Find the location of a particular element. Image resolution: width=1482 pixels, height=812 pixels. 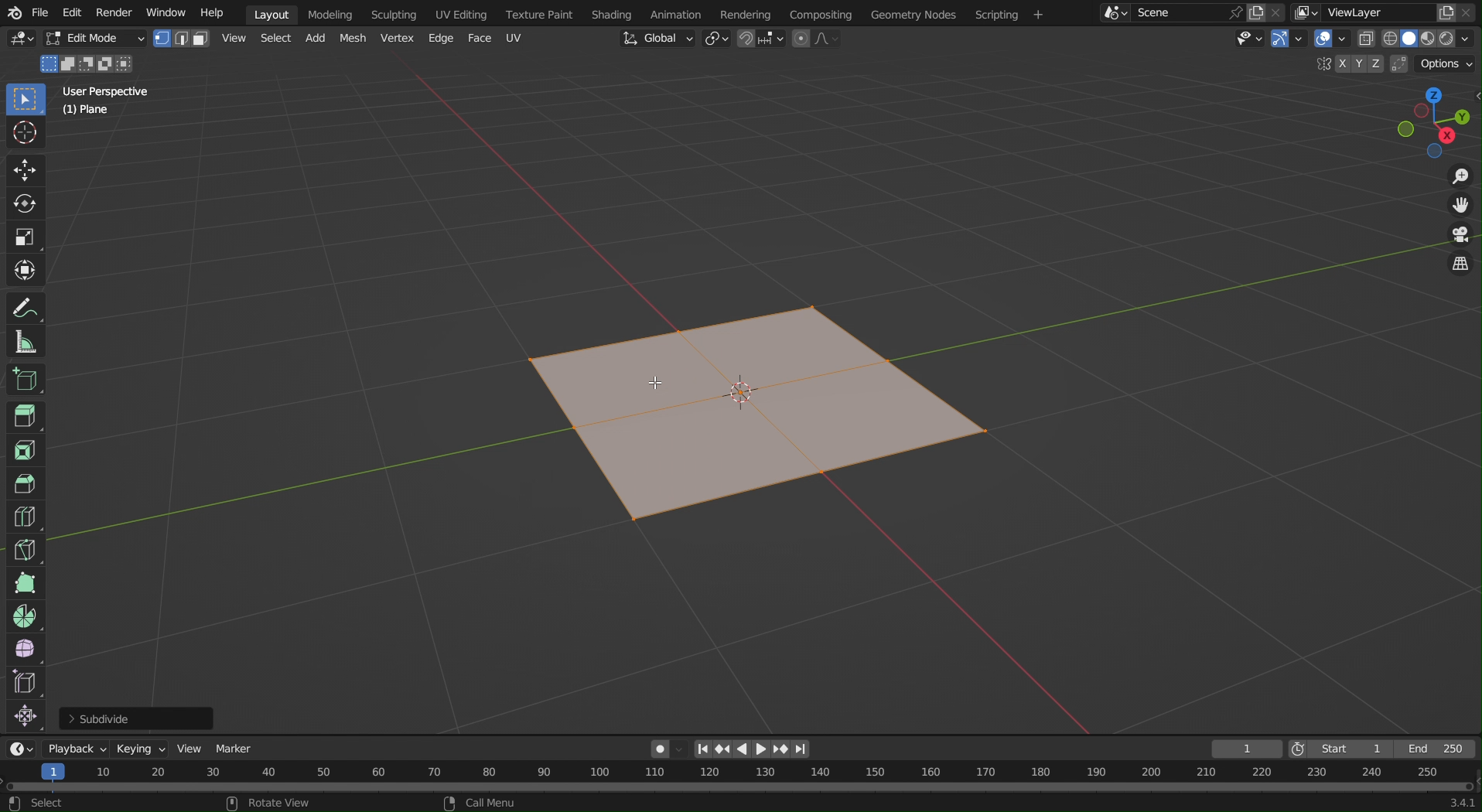

Select is located at coordinates (273, 40).